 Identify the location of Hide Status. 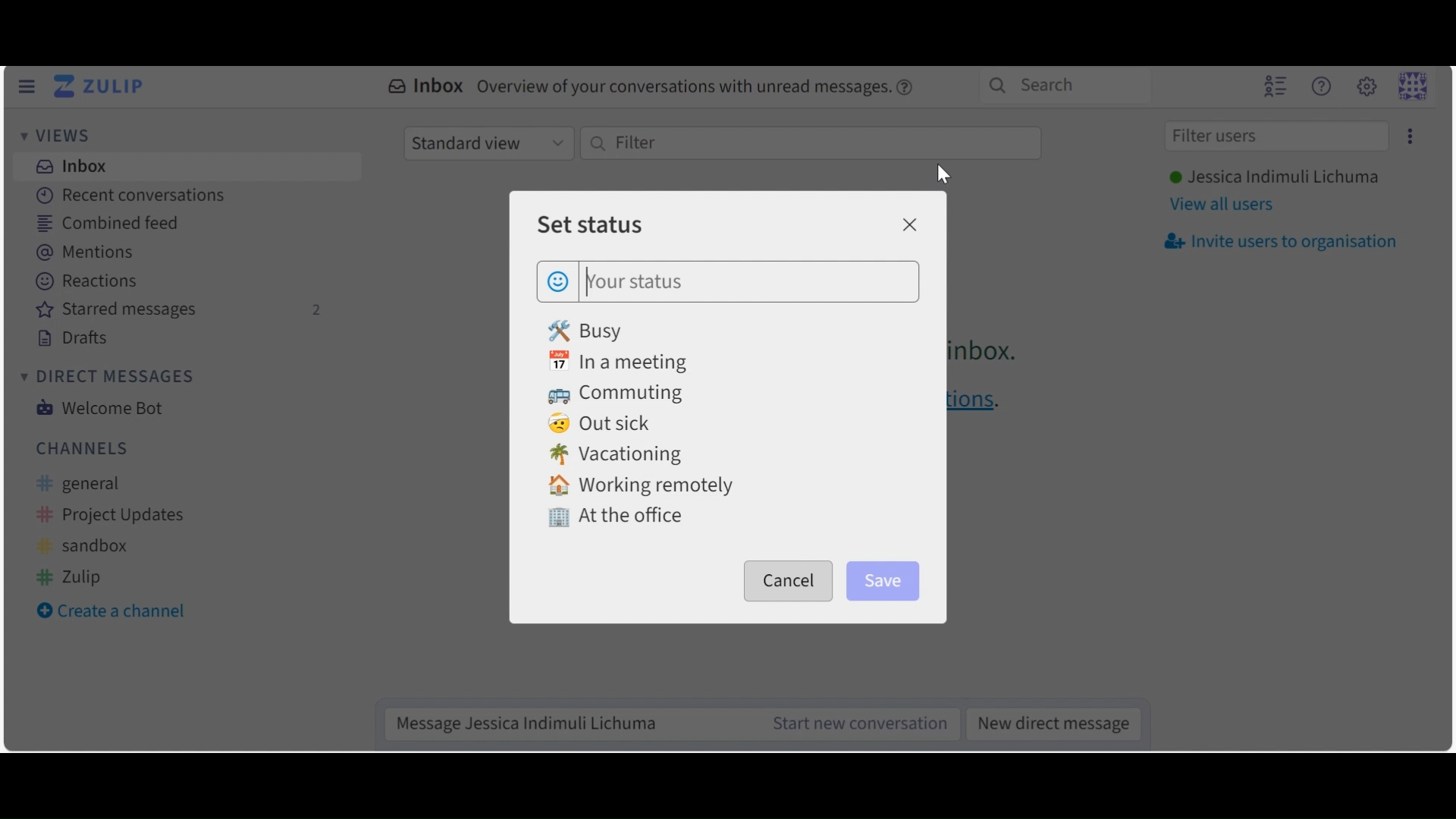
(26, 86).